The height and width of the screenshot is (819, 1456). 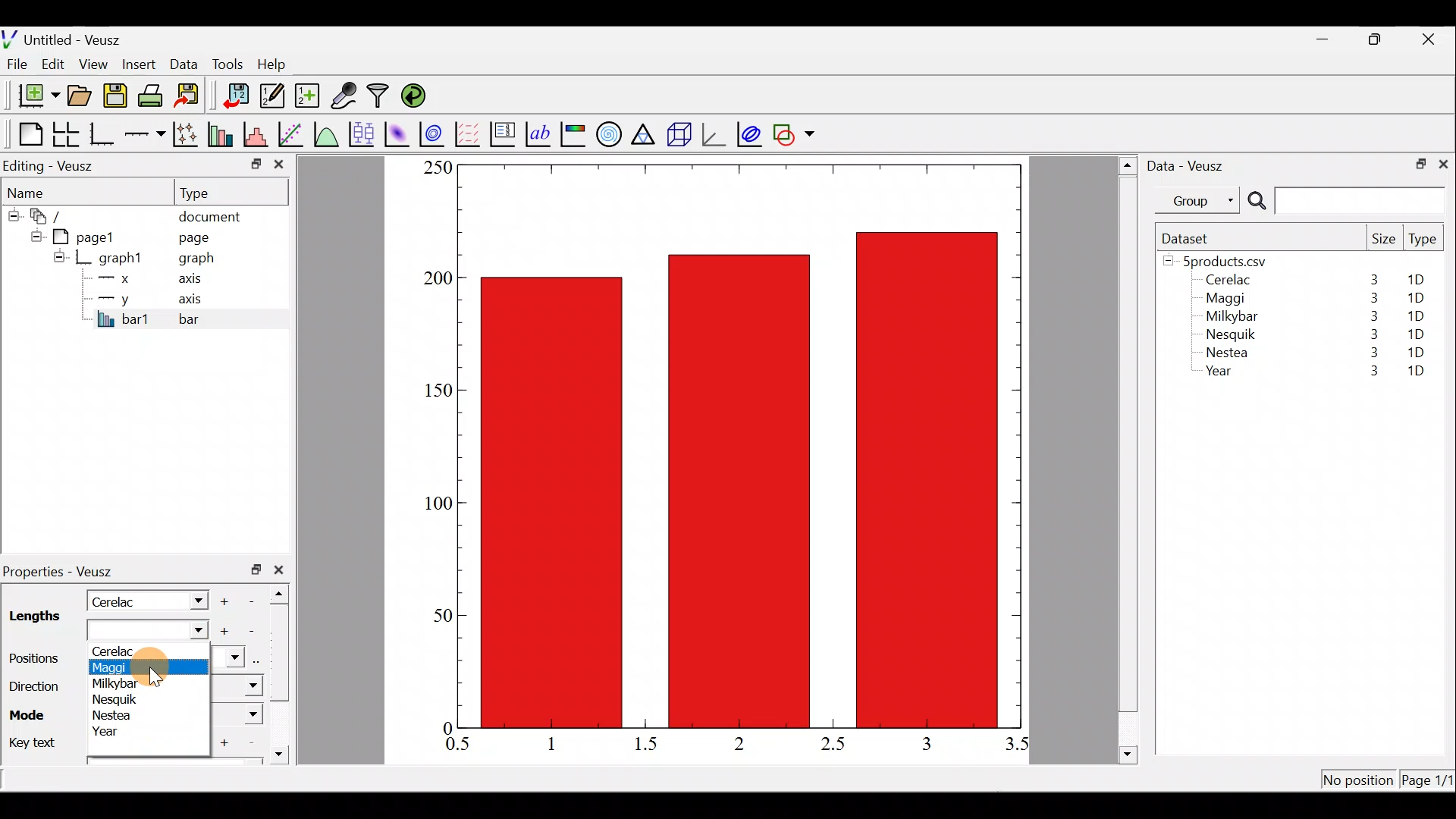 What do you see at coordinates (327, 133) in the screenshot?
I see `Plot a function` at bounding box center [327, 133].